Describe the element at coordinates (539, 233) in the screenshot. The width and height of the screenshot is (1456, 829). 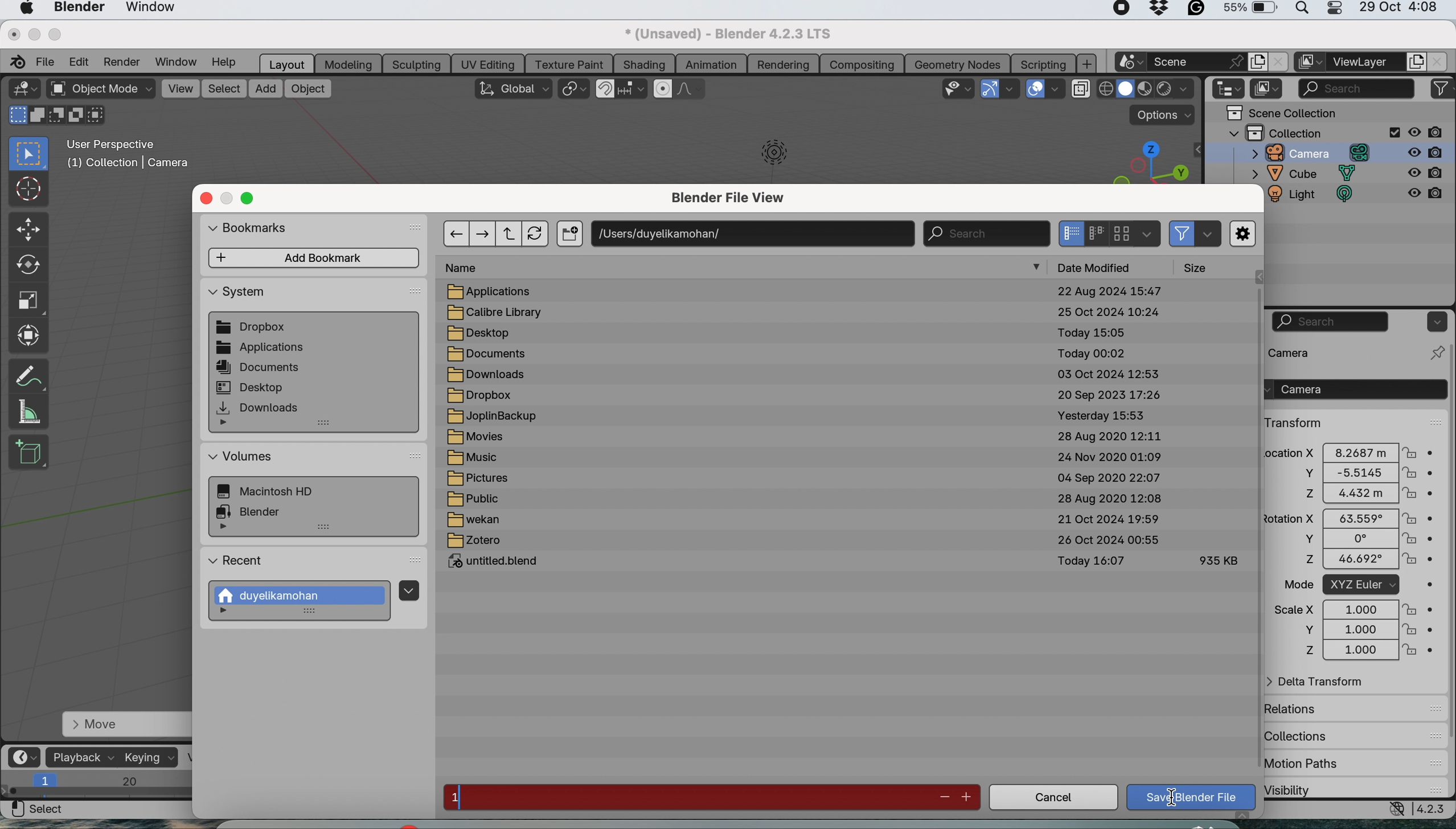
I see `refresh list` at that location.